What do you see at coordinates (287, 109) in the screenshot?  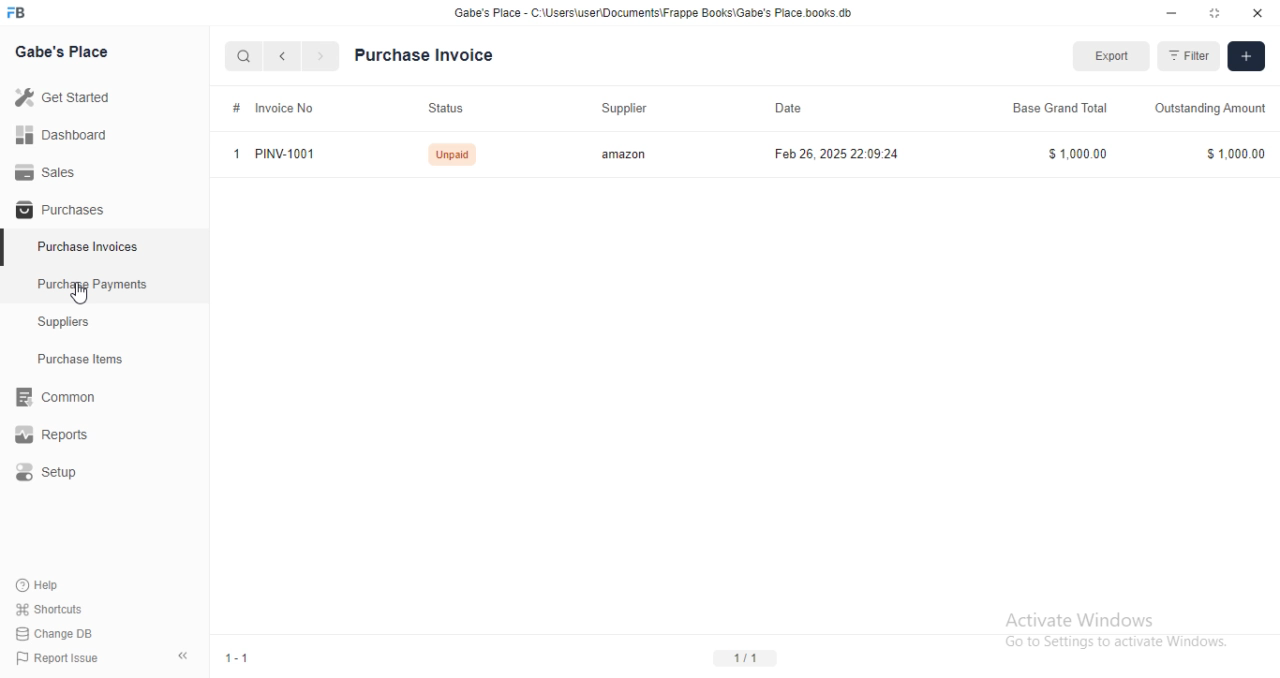 I see `Invoice No` at bounding box center [287, 109].